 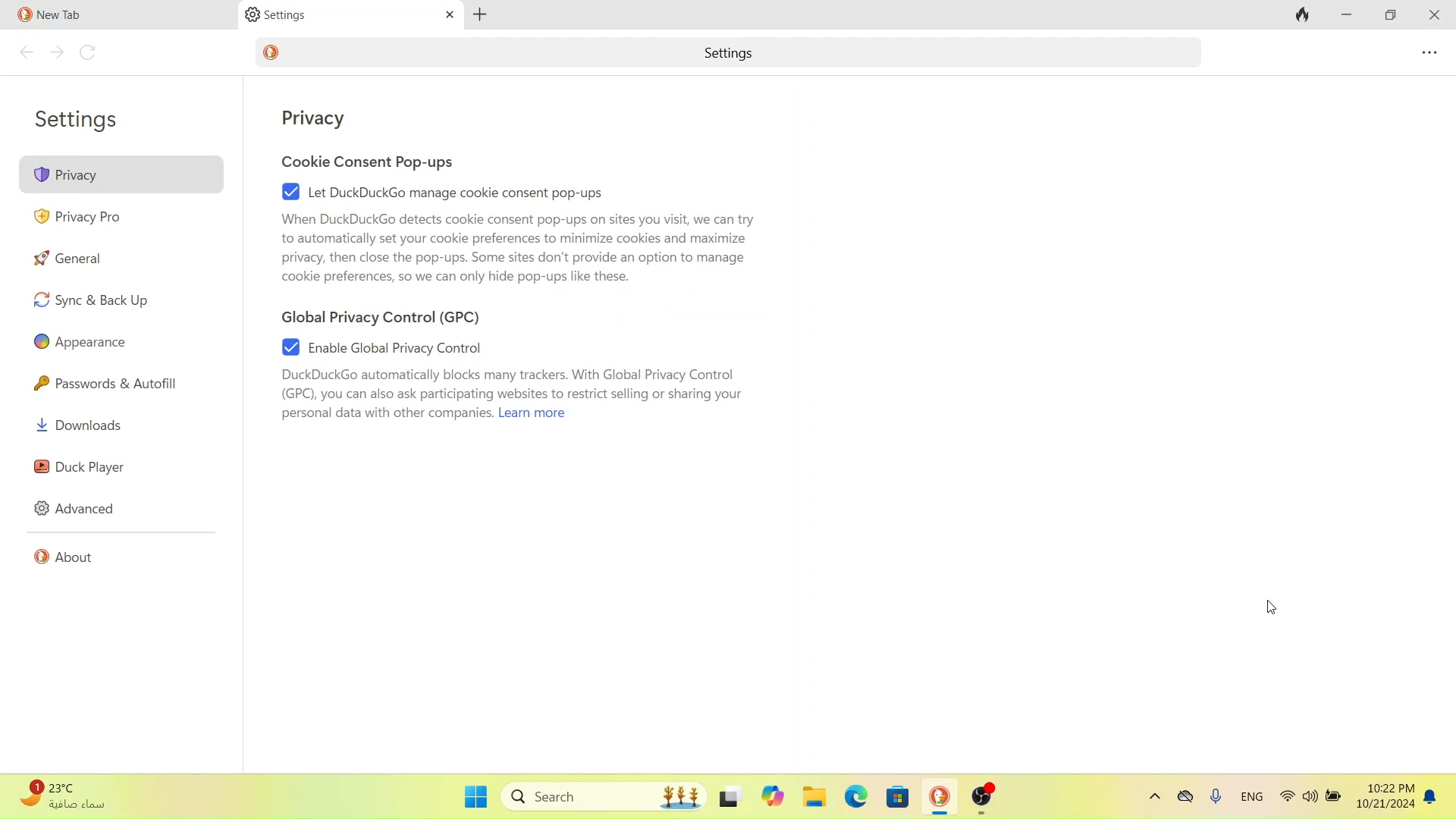 What do you see at coordinates (1348, 14) in the screenshot?
I see `minimize` at bounding box center [1348, 14].